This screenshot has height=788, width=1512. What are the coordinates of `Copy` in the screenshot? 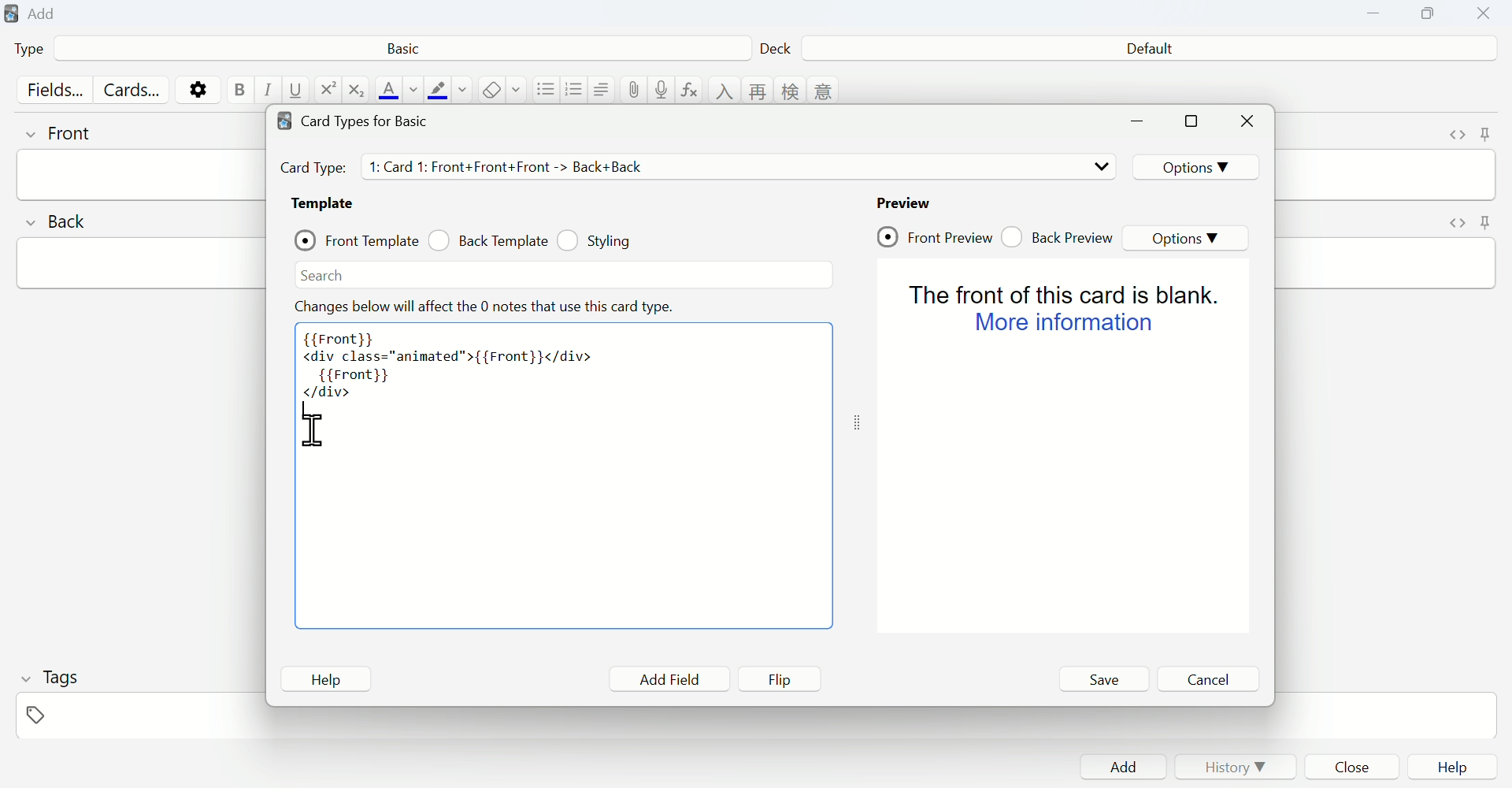 It's located at (1432, 16).